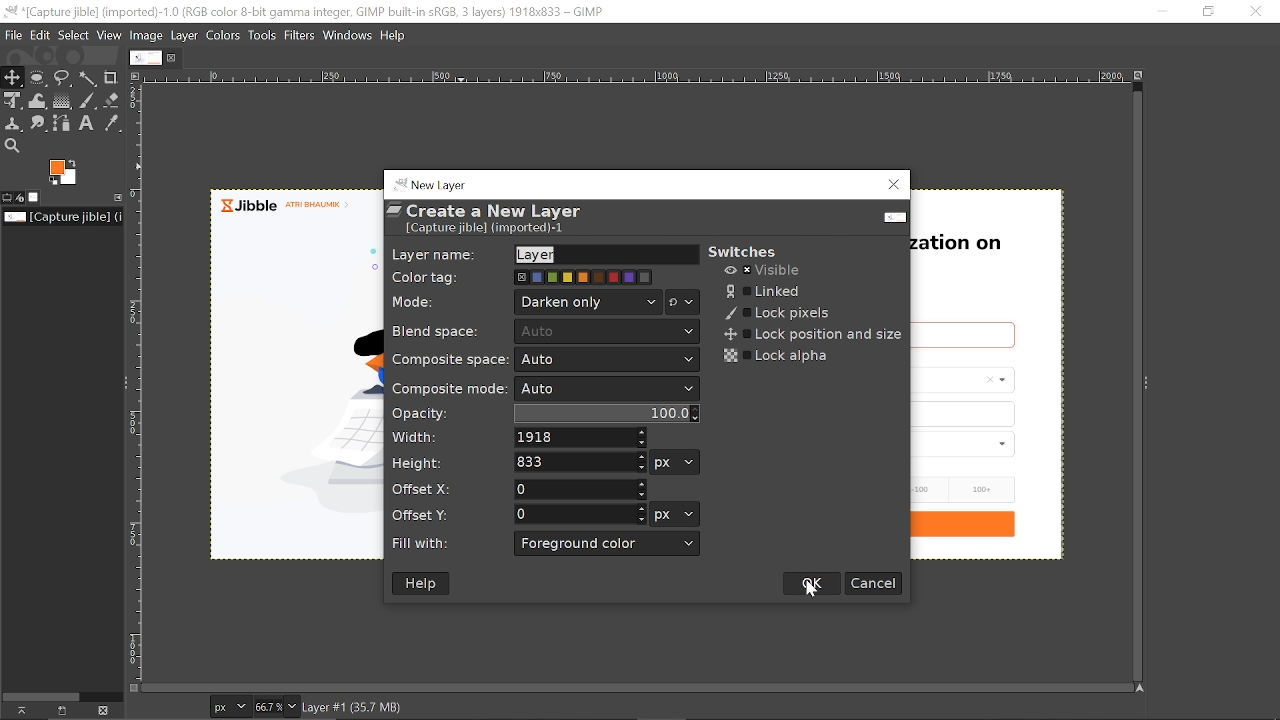  I want to click on close, so click(105, 709).